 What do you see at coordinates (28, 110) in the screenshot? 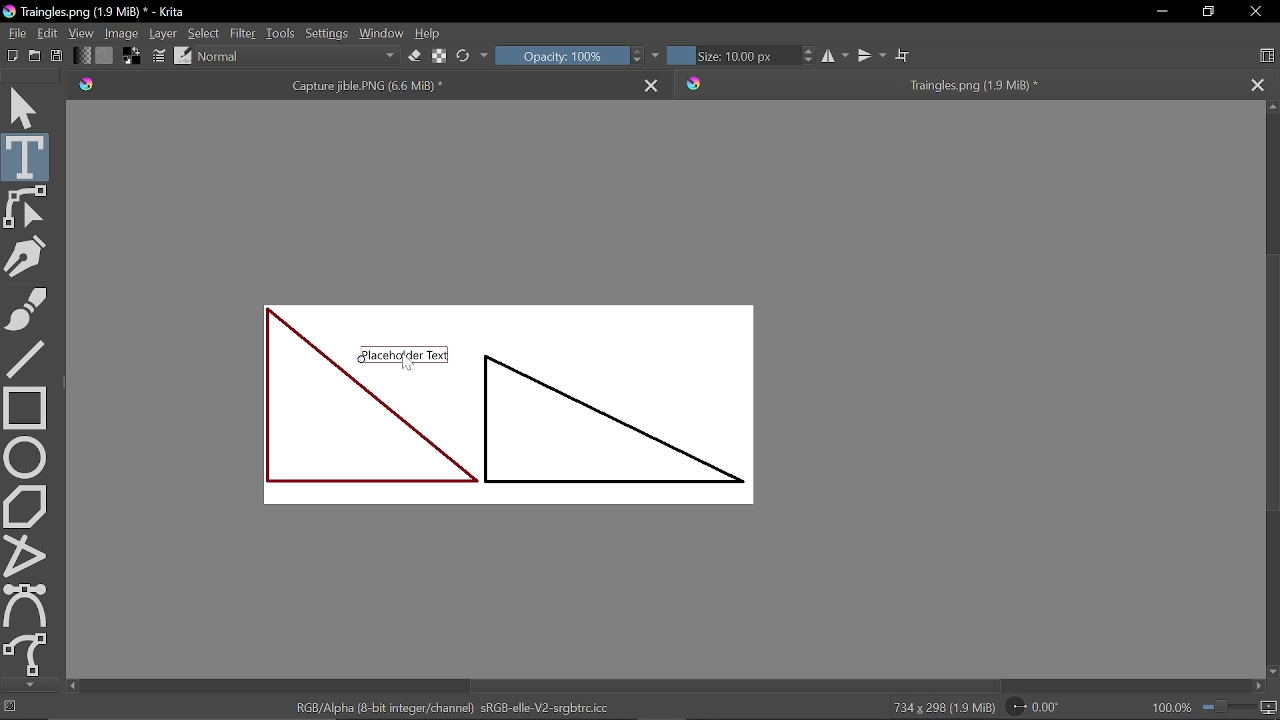
I see `Move tool` at bounding box center [28, 110].